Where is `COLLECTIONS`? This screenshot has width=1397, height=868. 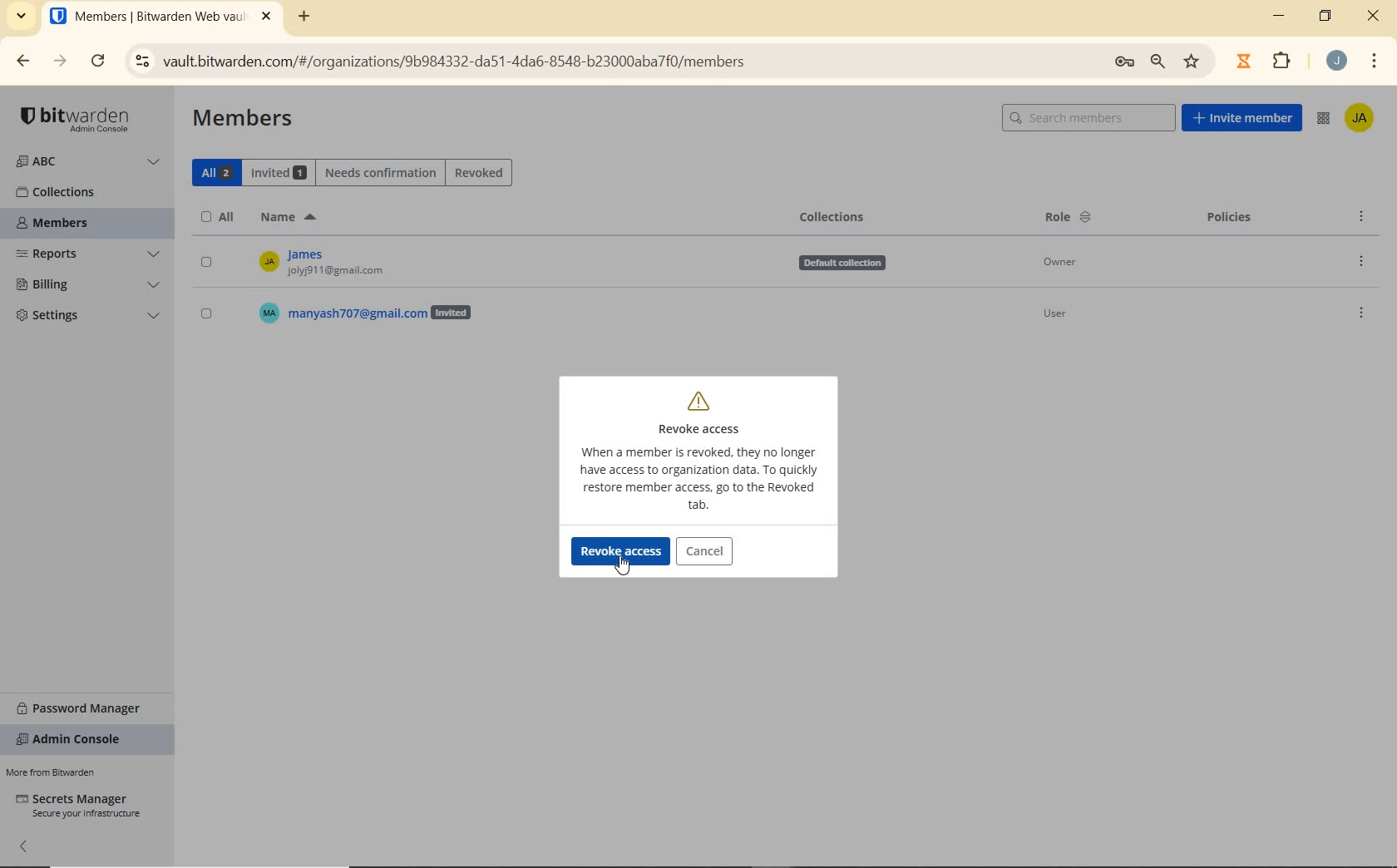 COLLECTIONS is located at coordinates (835, 217).